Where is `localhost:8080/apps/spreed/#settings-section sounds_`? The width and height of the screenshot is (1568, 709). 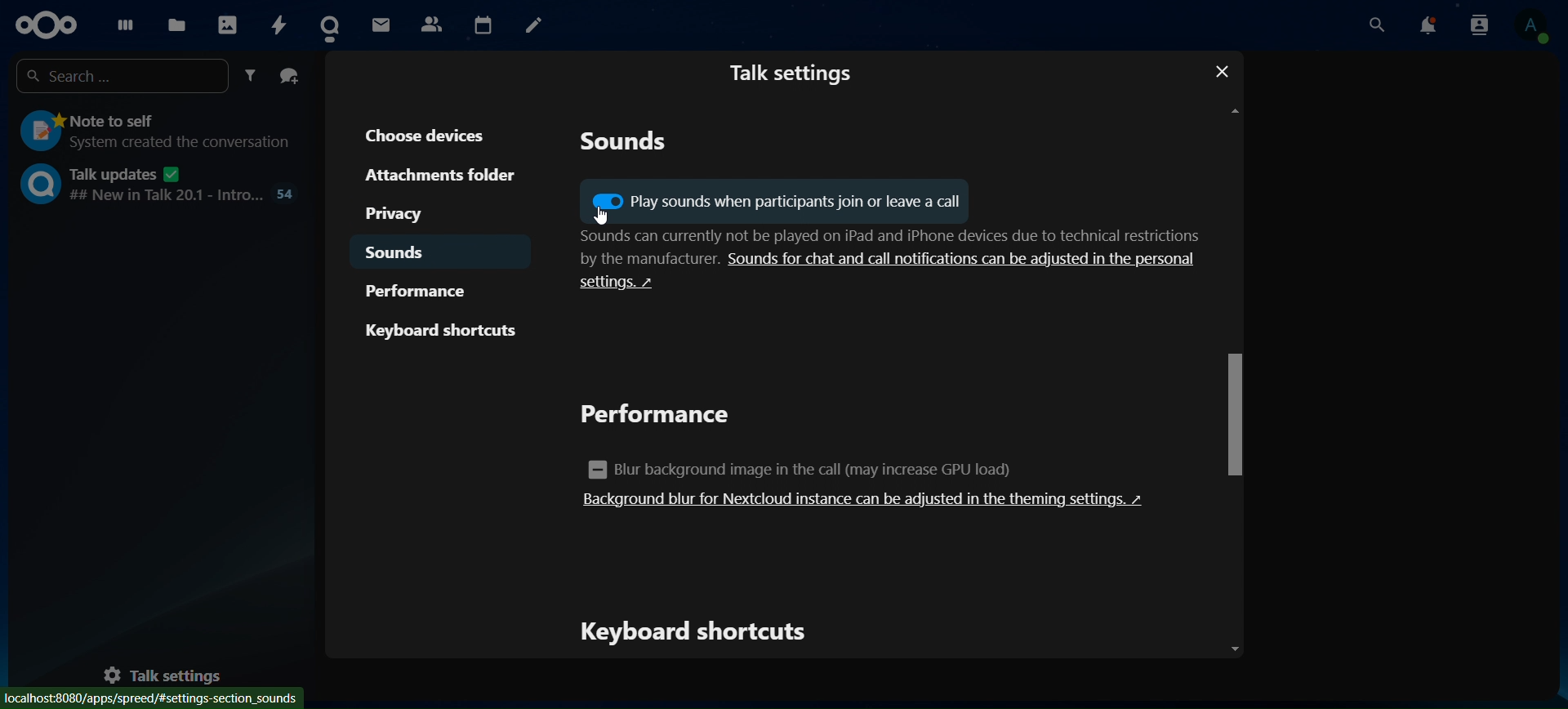 localhost:8080/apps/spreed/#settings-section sounds_ is located at coordinates (151, 698).